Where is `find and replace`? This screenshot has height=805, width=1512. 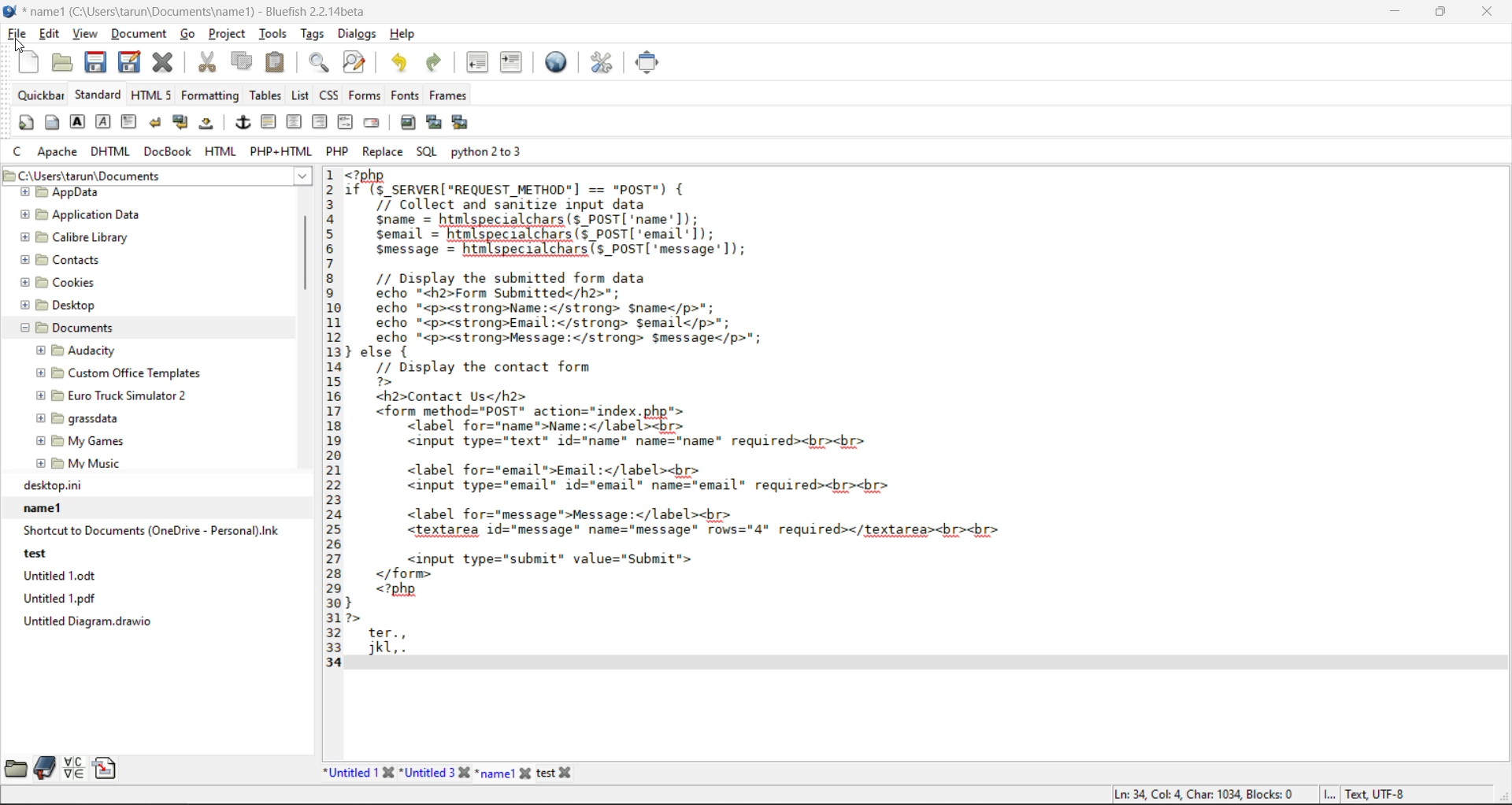
find and replace is located at coordinates (360, 62).